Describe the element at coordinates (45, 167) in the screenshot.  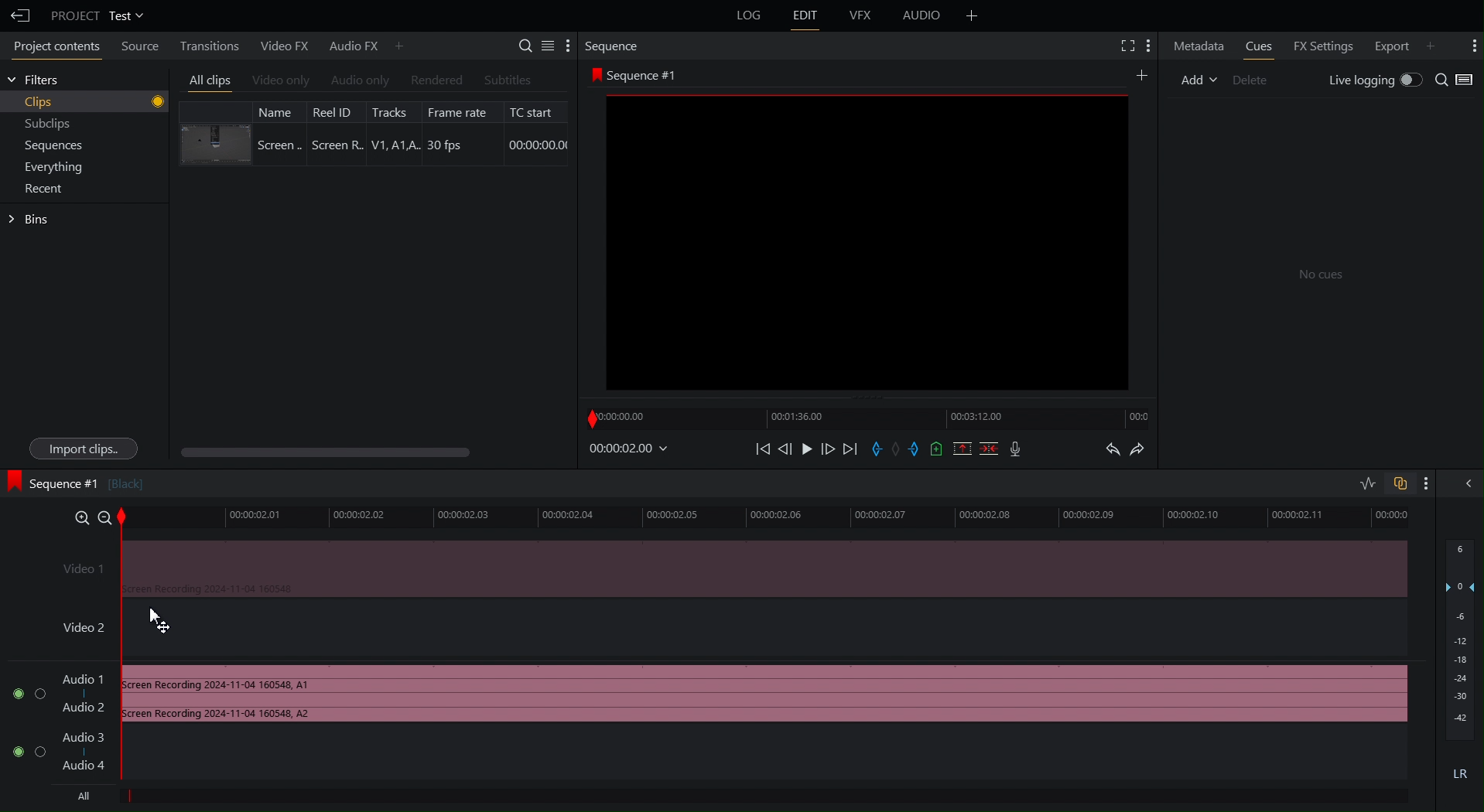
I see `Everything` at that location.